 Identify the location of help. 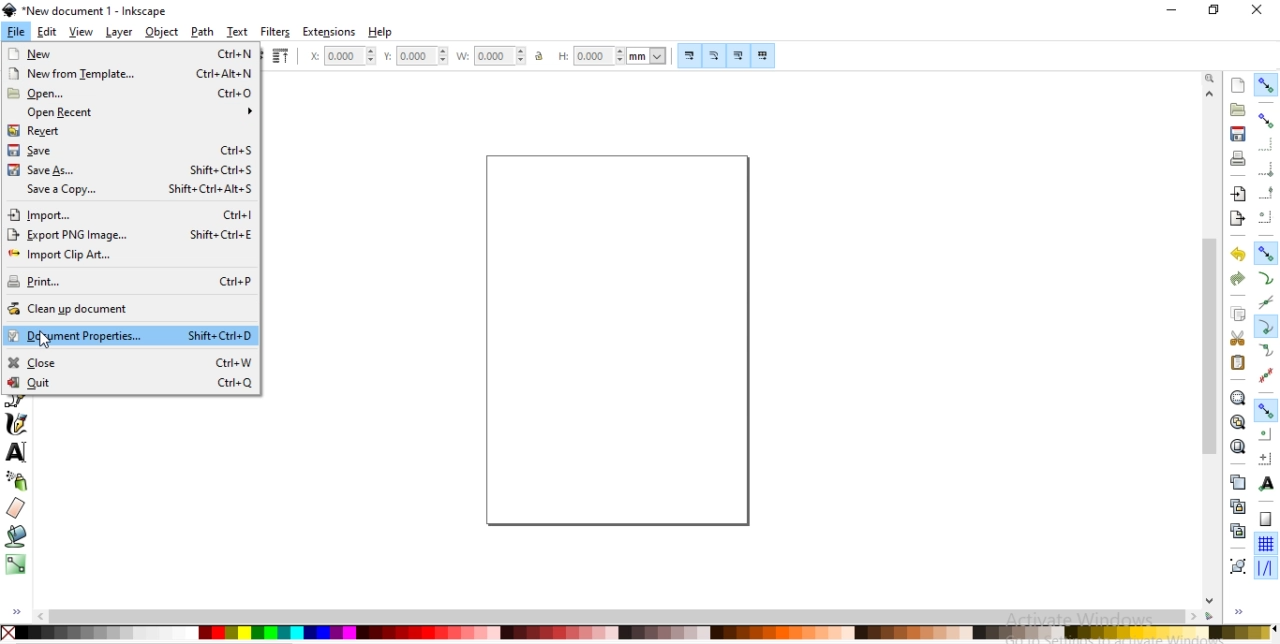
(382, 32).